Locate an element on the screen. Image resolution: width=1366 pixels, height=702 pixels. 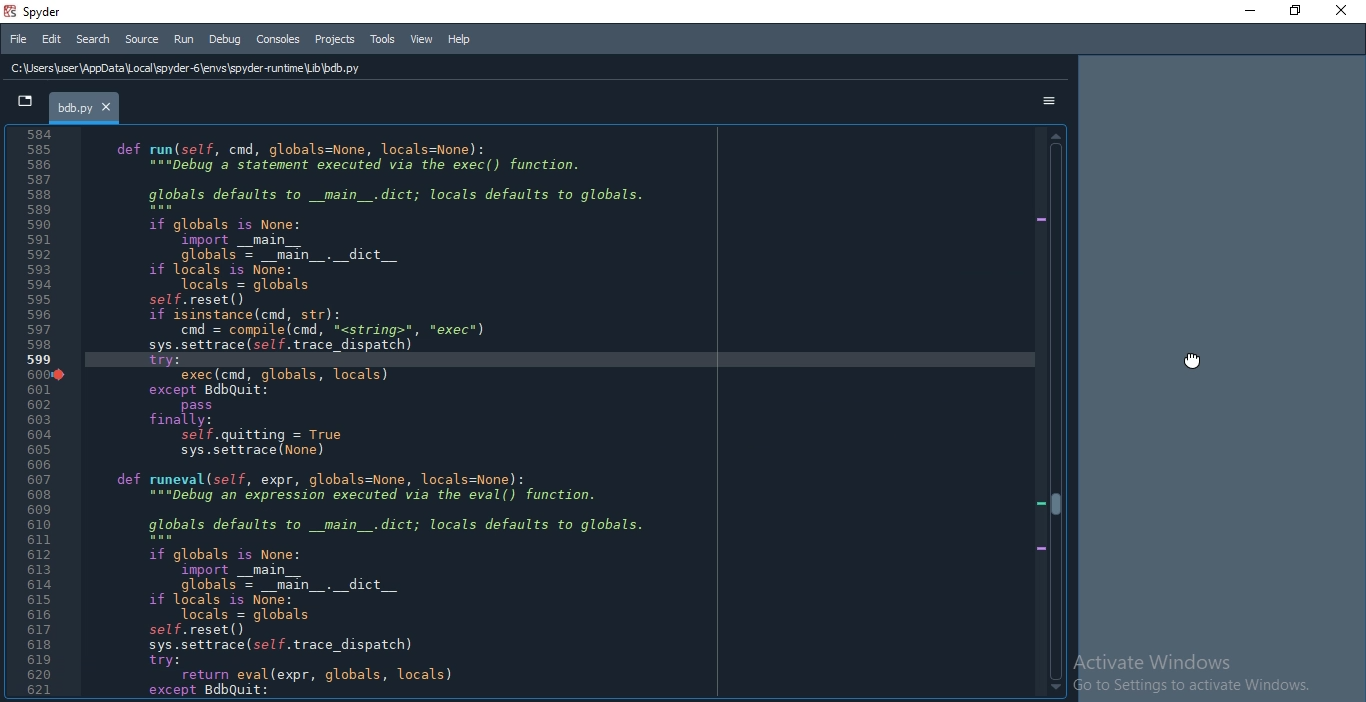
Edit is located at coordinates (51, 38).